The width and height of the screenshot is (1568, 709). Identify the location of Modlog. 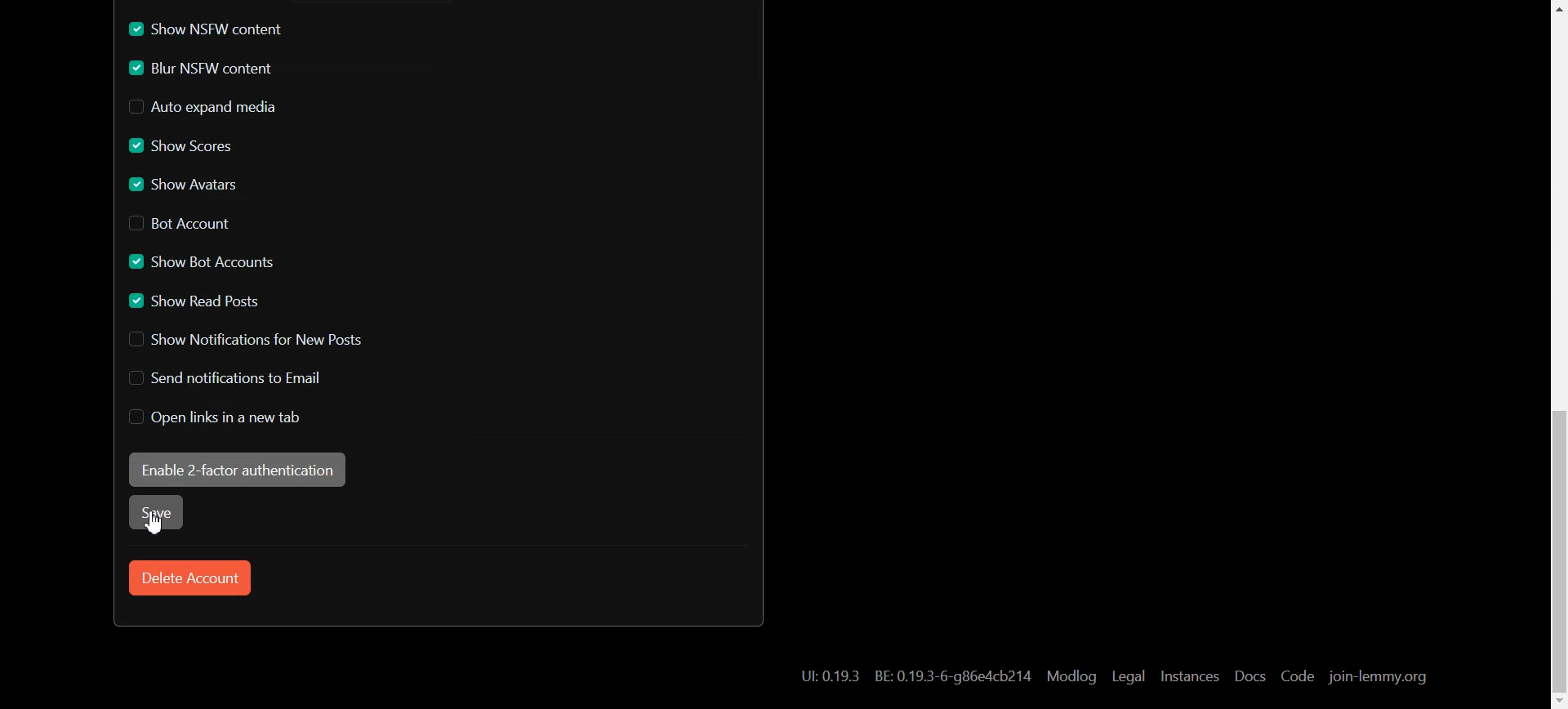
(1071, 676).